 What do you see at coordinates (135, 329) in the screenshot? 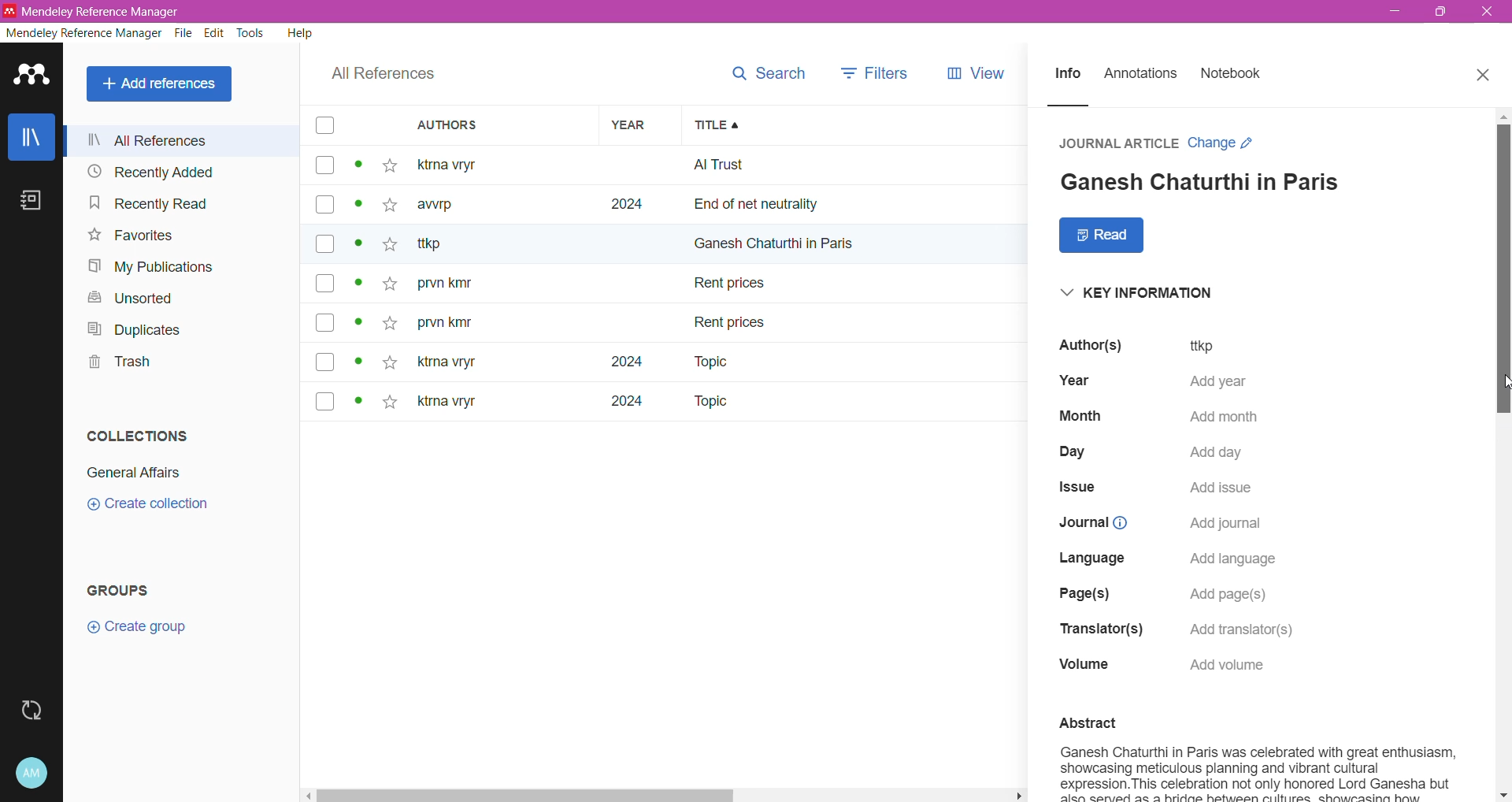
I see `Duplicates` at bounding box center [135, 329].